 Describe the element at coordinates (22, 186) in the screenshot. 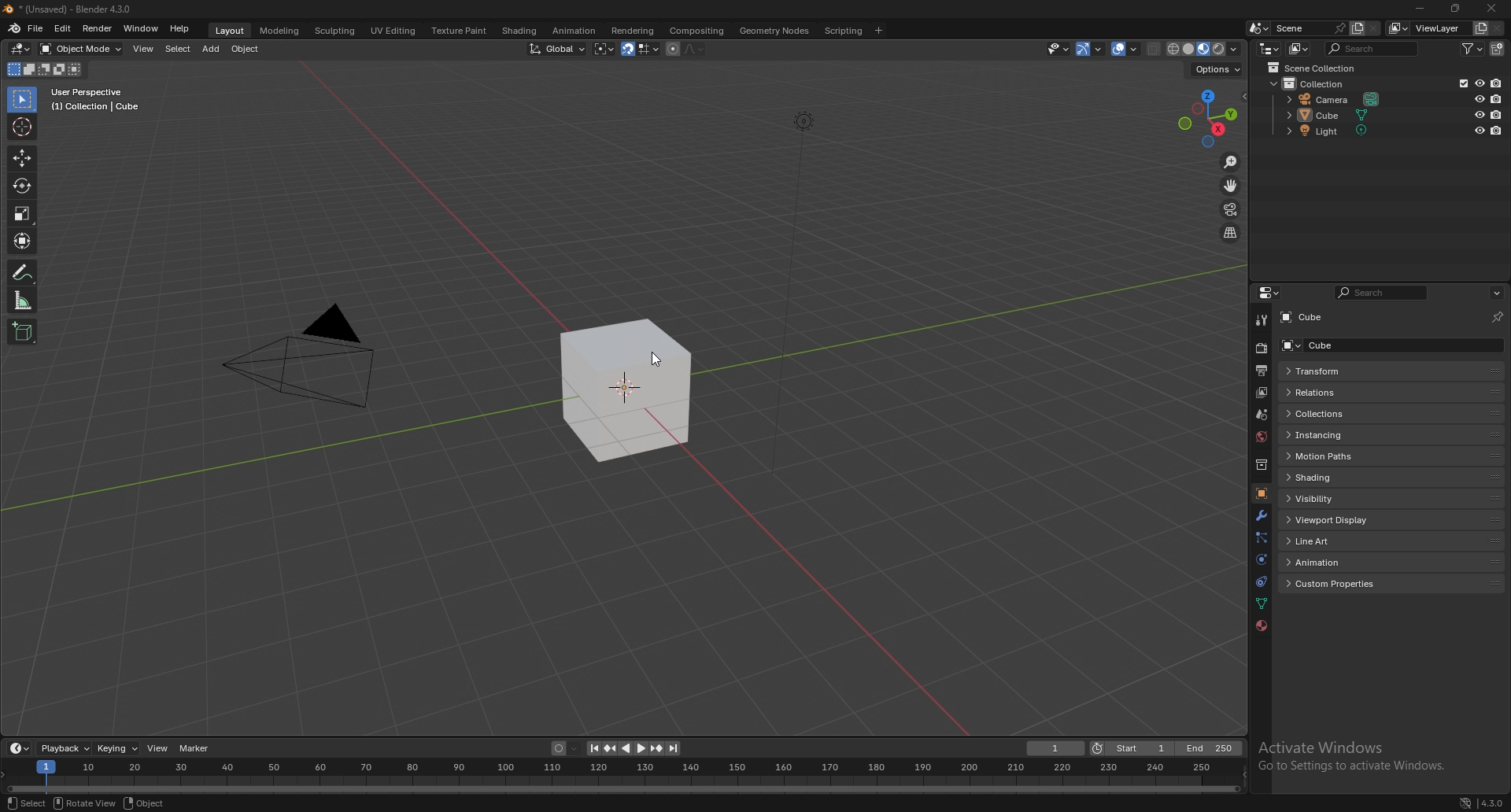

I see `rotate` at that location.